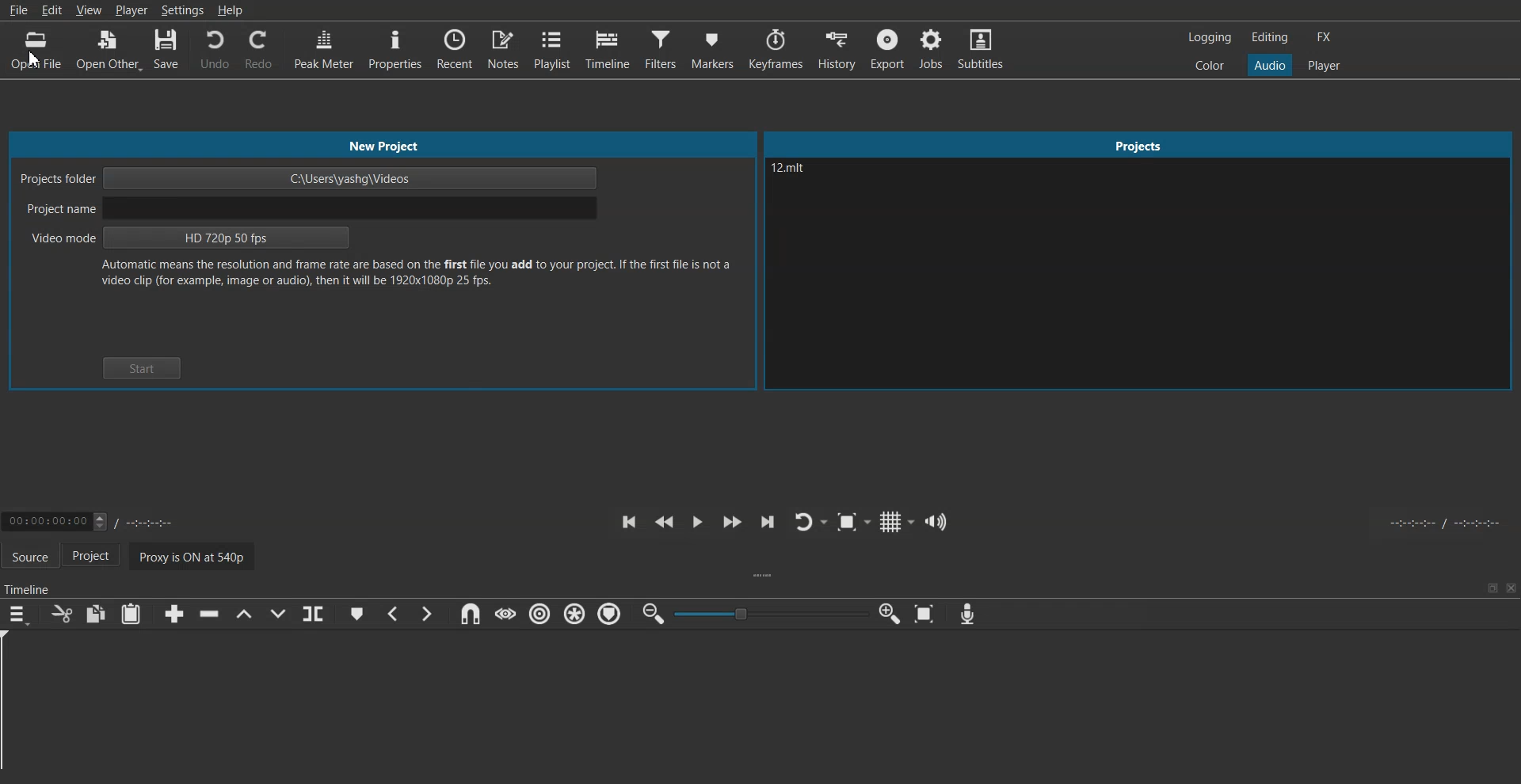 This screenshot has width=1521, height=784. I want to click on Peak Meter, so click(323, 48).